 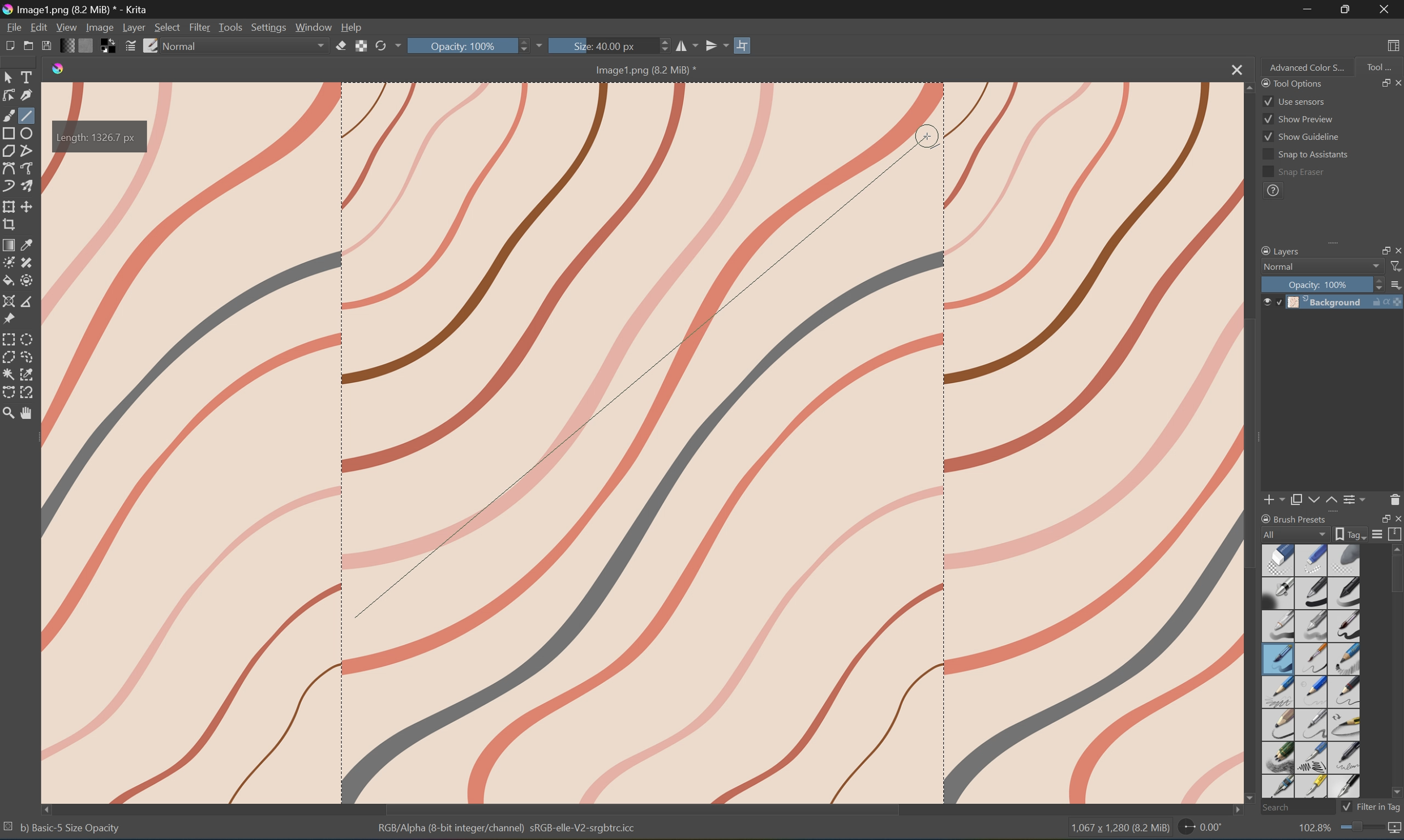 What do you see at coordinates (1337, 246) in the screenshot?
I see `Expand` at bounding box center [1337, 246].